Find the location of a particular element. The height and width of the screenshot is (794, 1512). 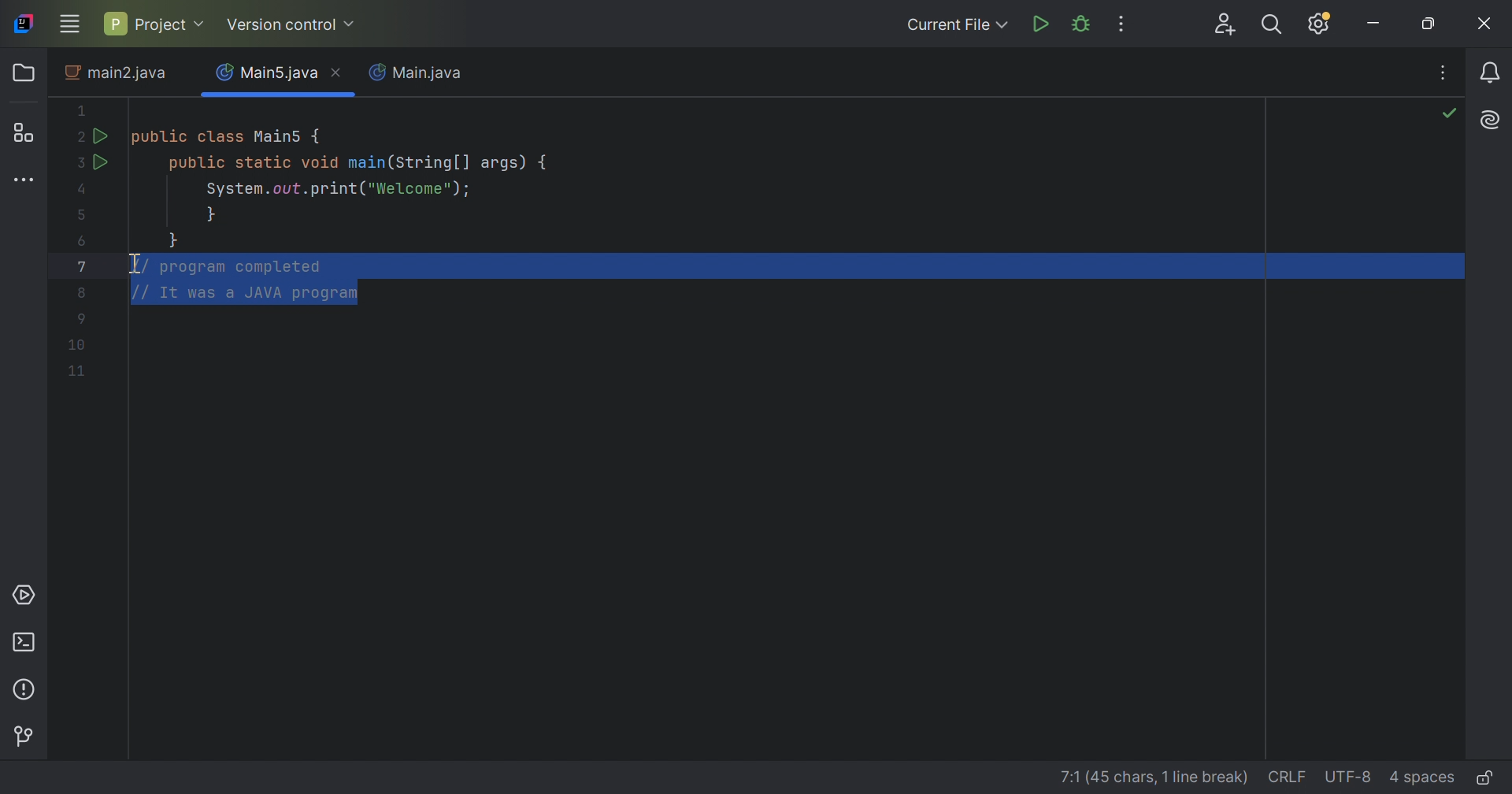

Edit or read-only is located at coordinates (1489, 777).